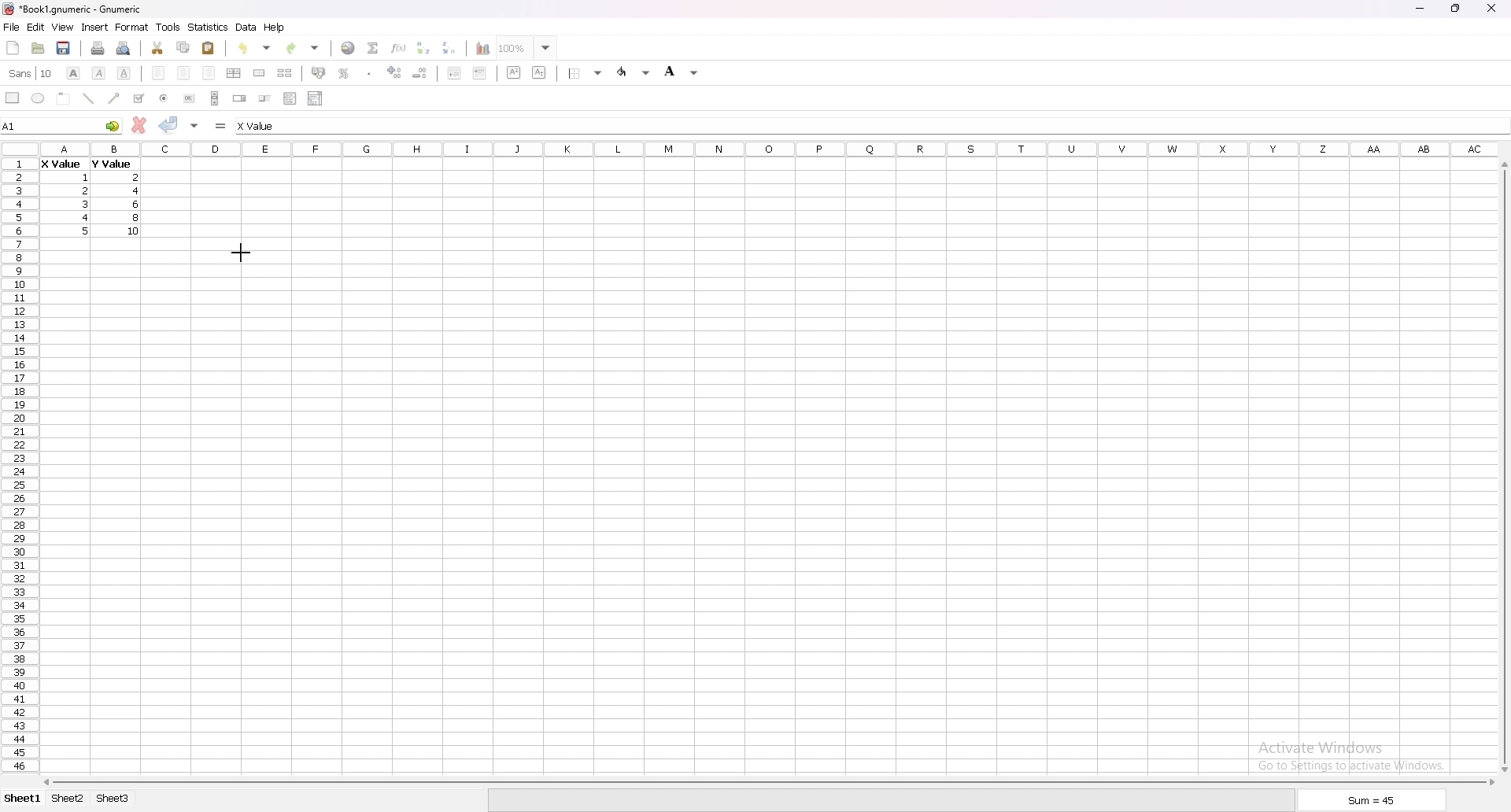 The image size is (1511, 812). Describe the element at coordinates (63, 48) in the screenshot. I see `save` at that location.